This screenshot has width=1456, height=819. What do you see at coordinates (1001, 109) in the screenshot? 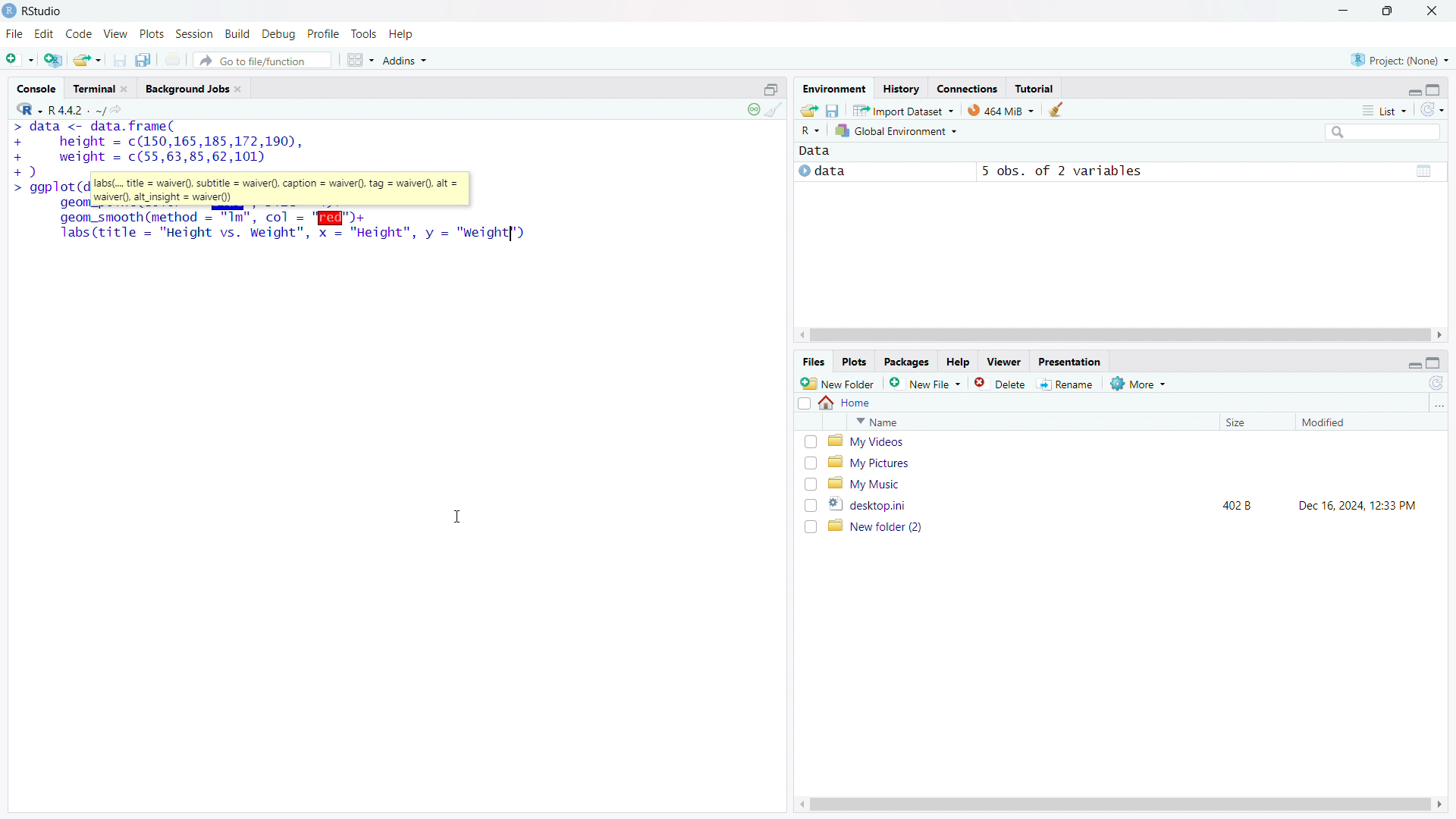
I see `memory used by R session` at bounding box center [1001, 109].